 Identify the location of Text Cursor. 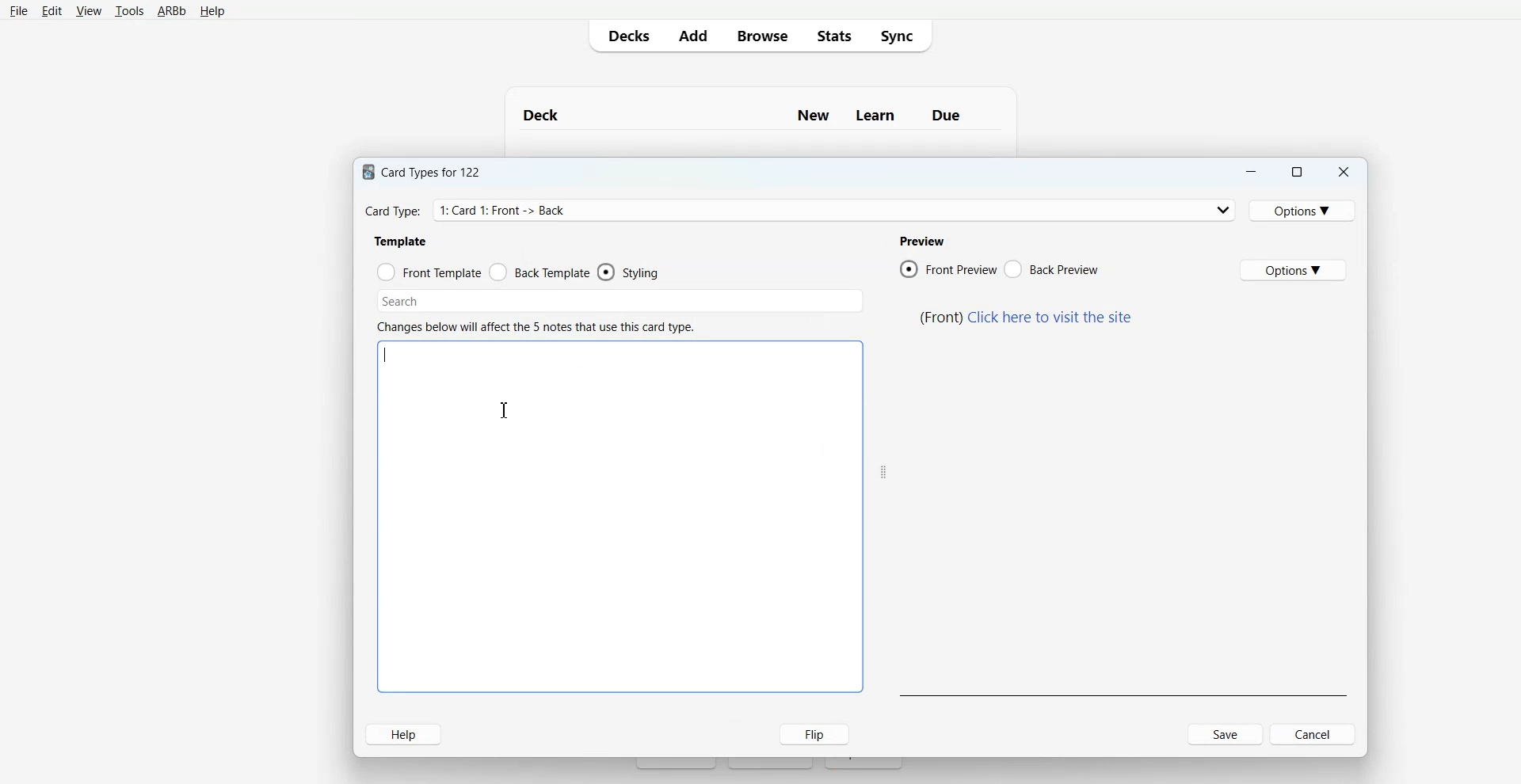
(387, 356).